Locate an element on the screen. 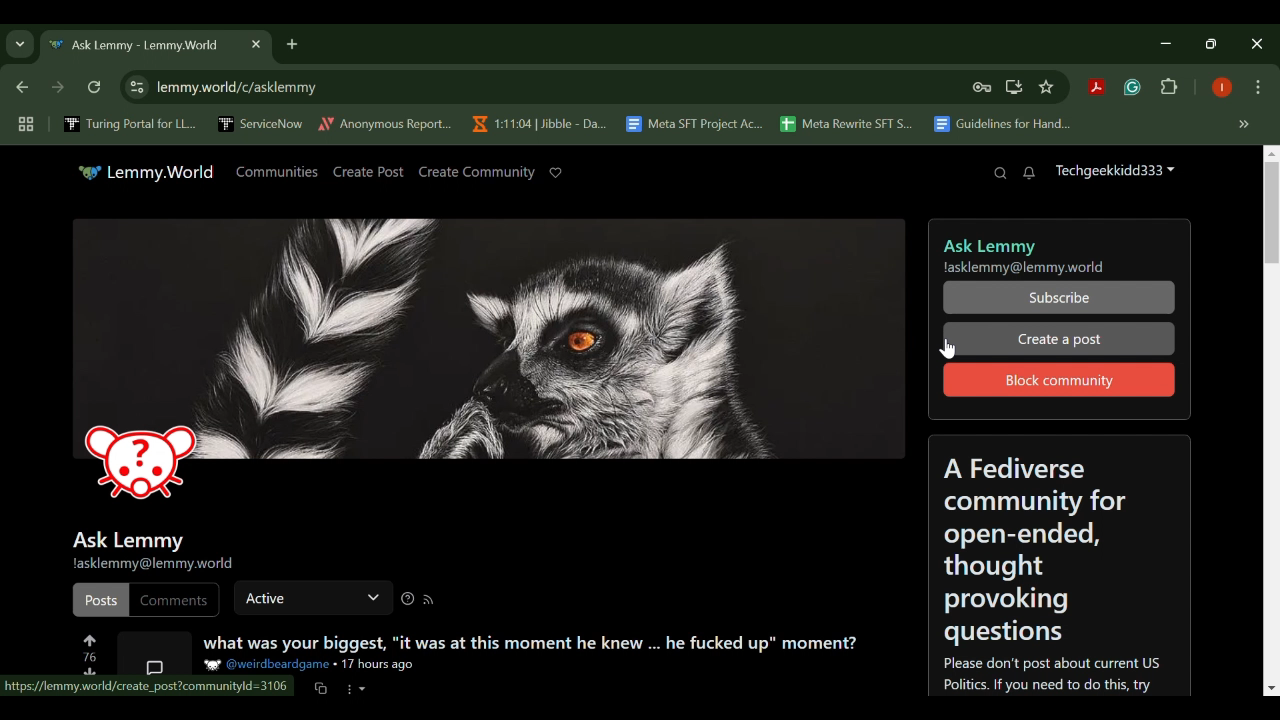  Previous Page Dropdown Menu is located at coordinates (20, 45).